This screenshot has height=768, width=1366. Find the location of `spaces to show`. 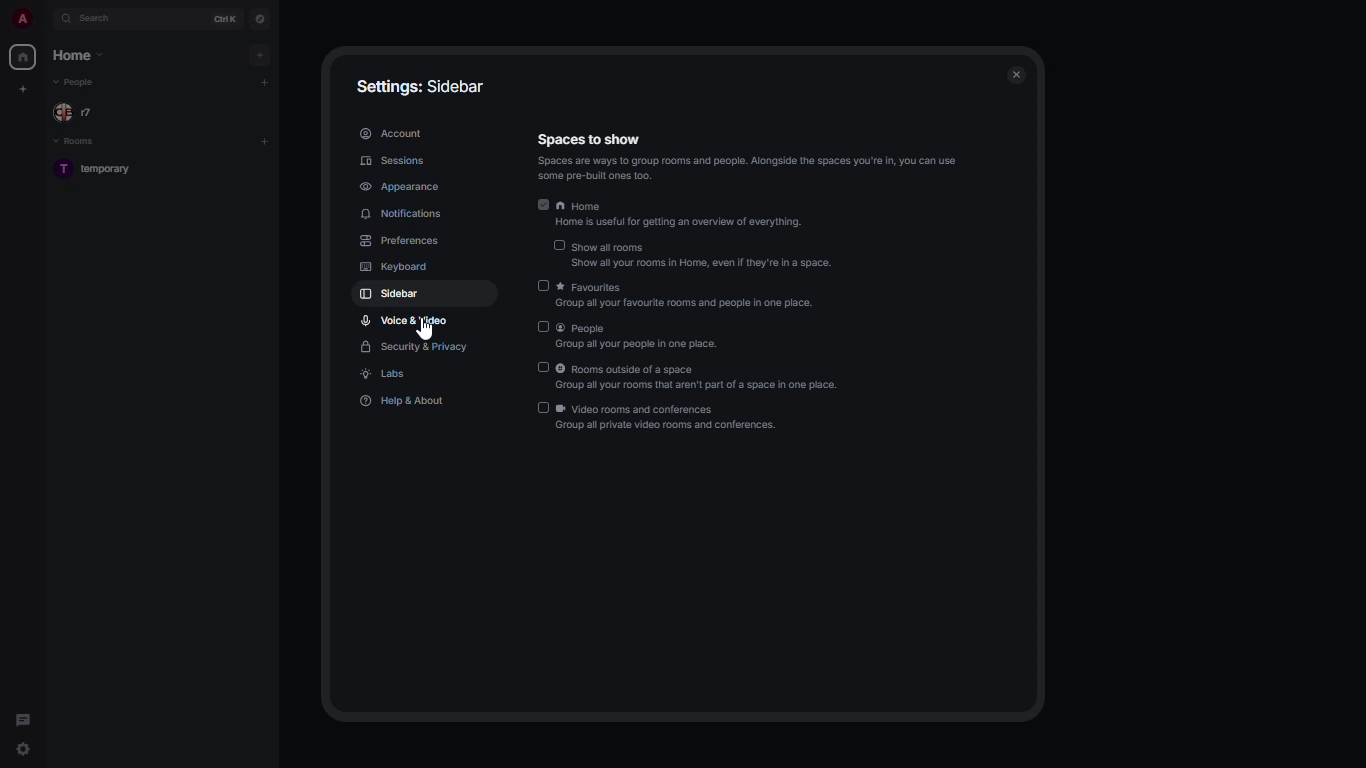

spaces to show is located at coordinates (665, 142).